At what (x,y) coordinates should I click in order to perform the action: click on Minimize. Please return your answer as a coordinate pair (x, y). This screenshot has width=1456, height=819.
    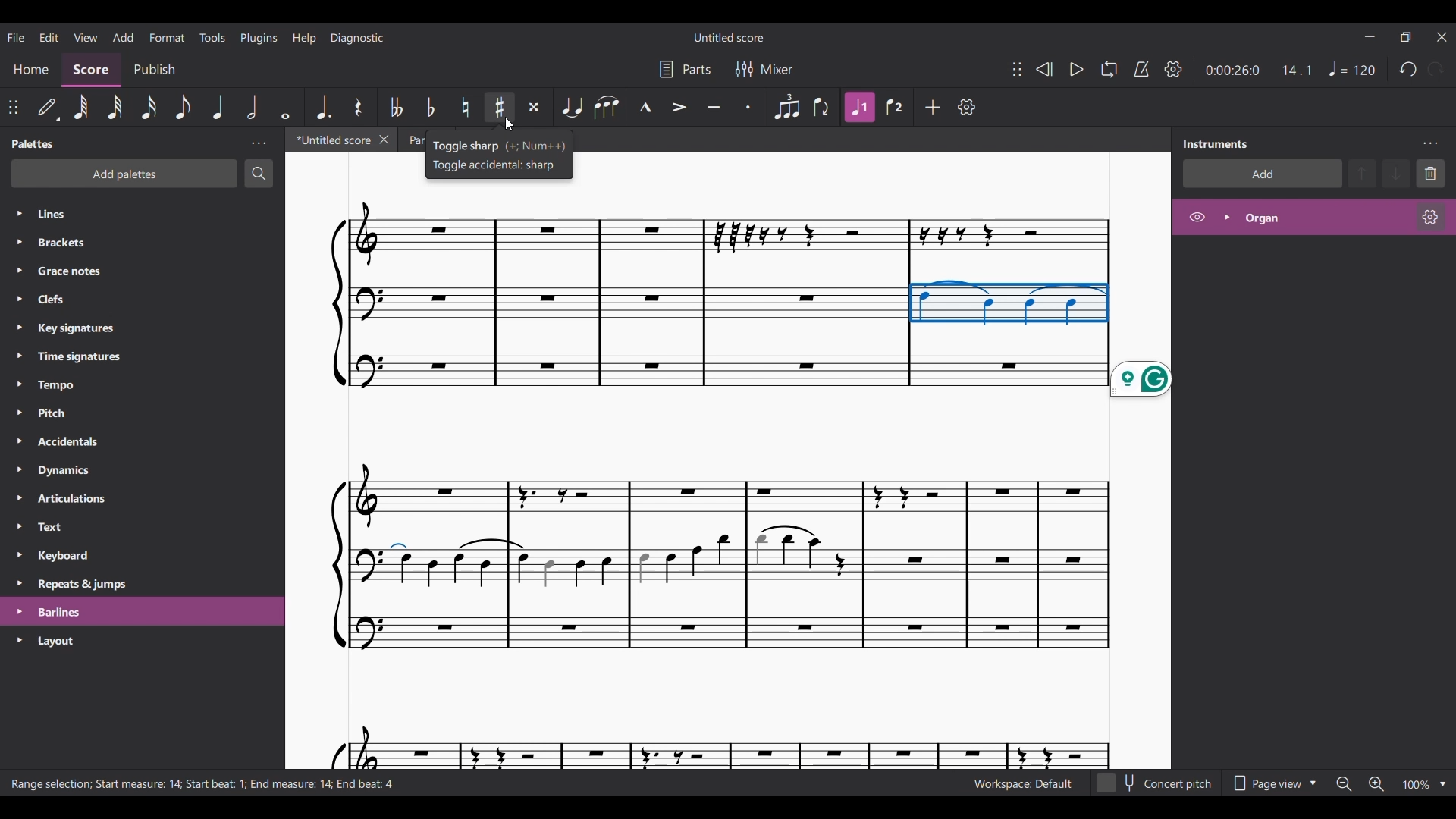
    Looking at the image, I should click on (1370, 36).